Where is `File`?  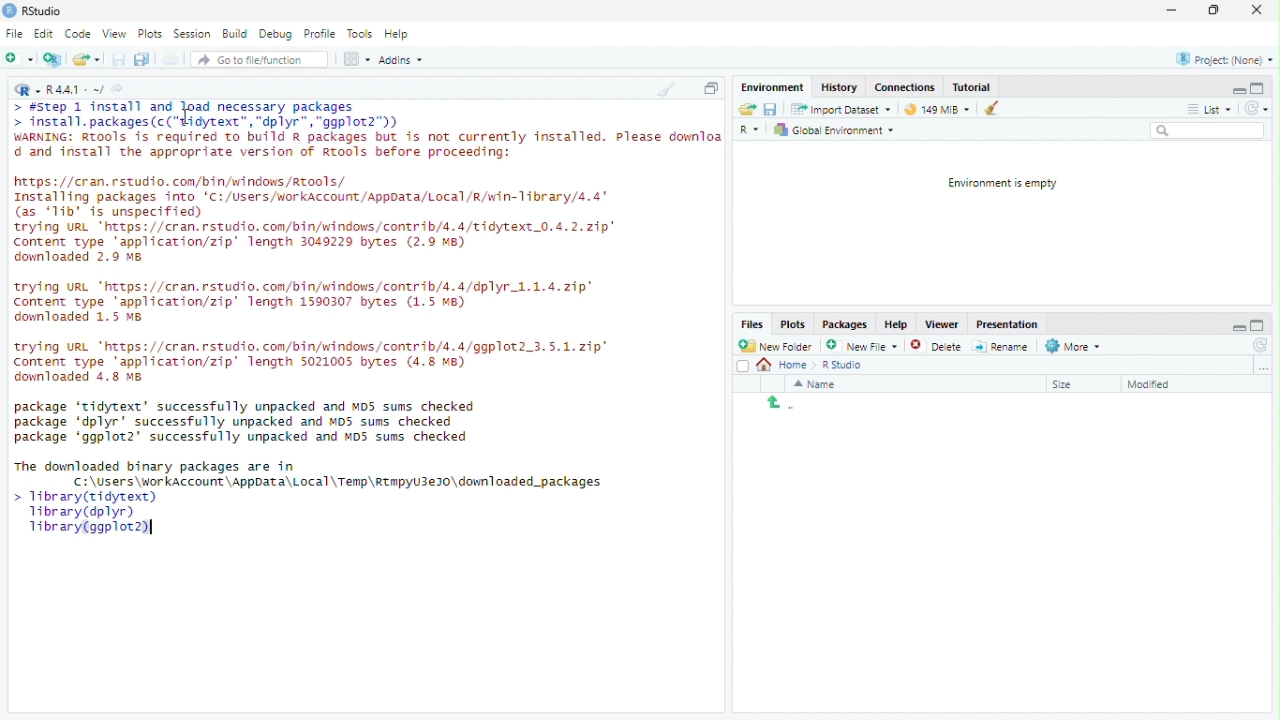
File is located at coordinates (14, 33).